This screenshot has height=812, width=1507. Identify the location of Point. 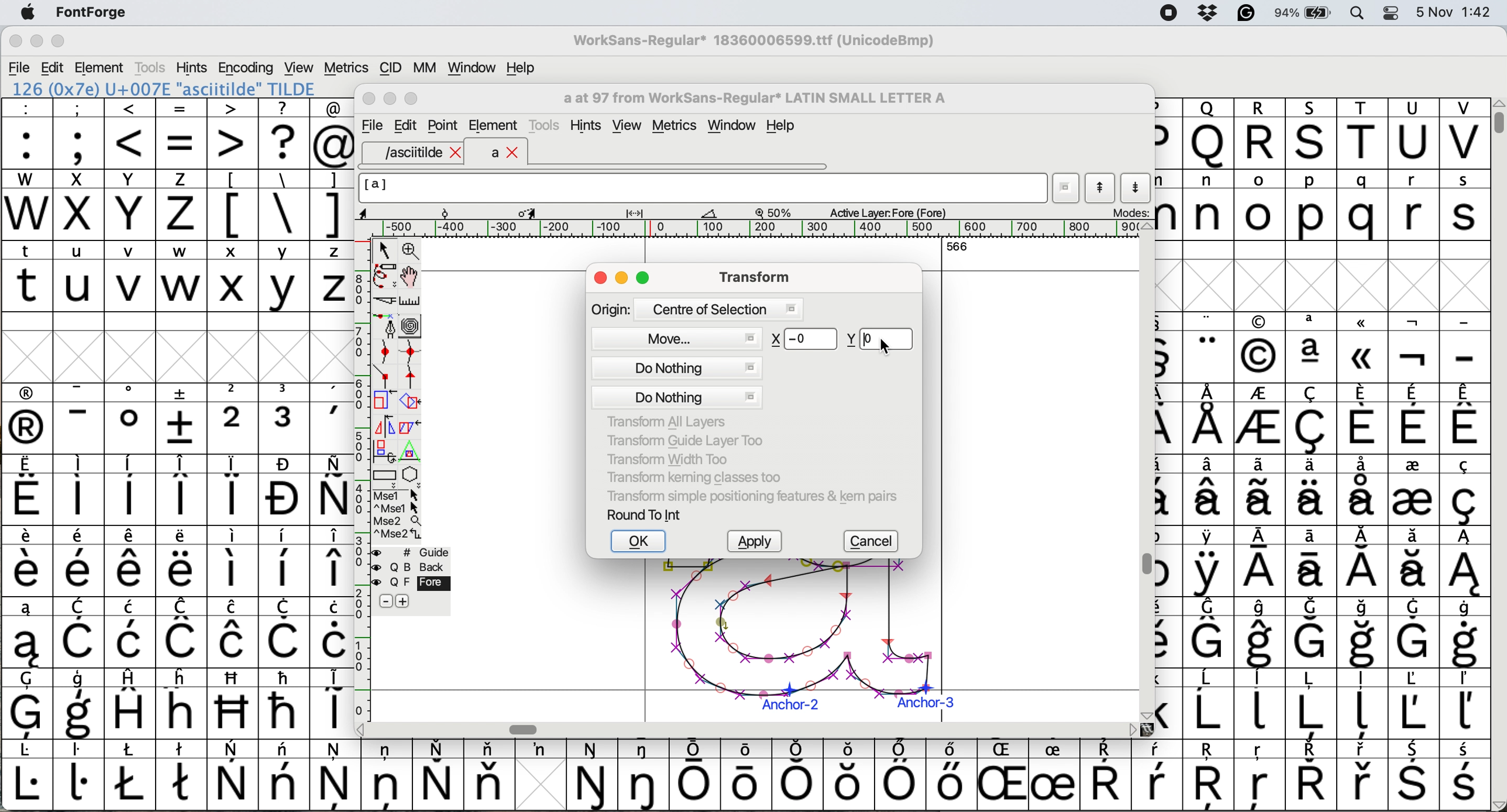
(444, 127).